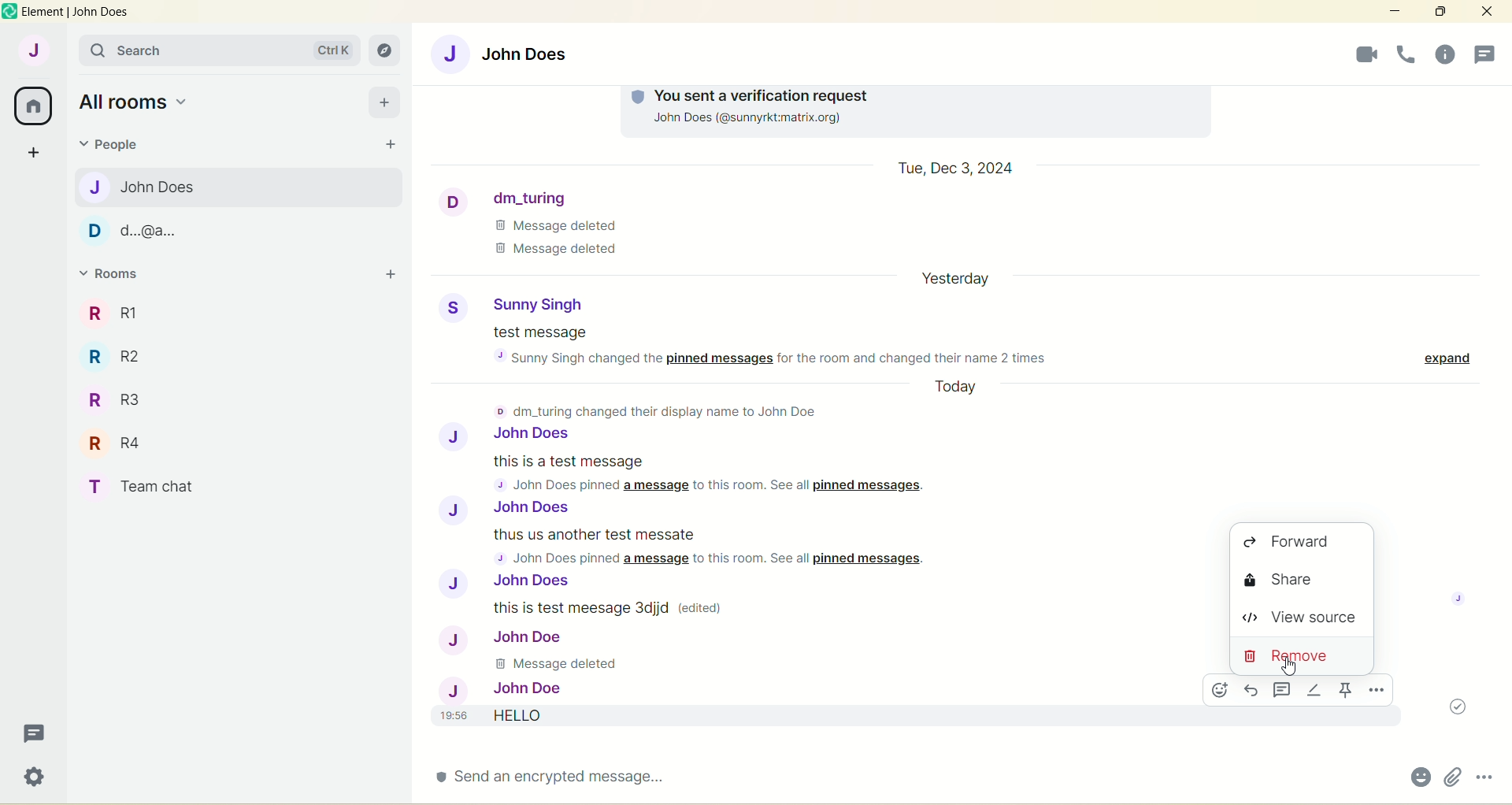 The height and width of the screenshot is (805, 1512). What do you see at coordinates (124, 54) in the screenshot?
I see `search` at bounding box center [124, 54].